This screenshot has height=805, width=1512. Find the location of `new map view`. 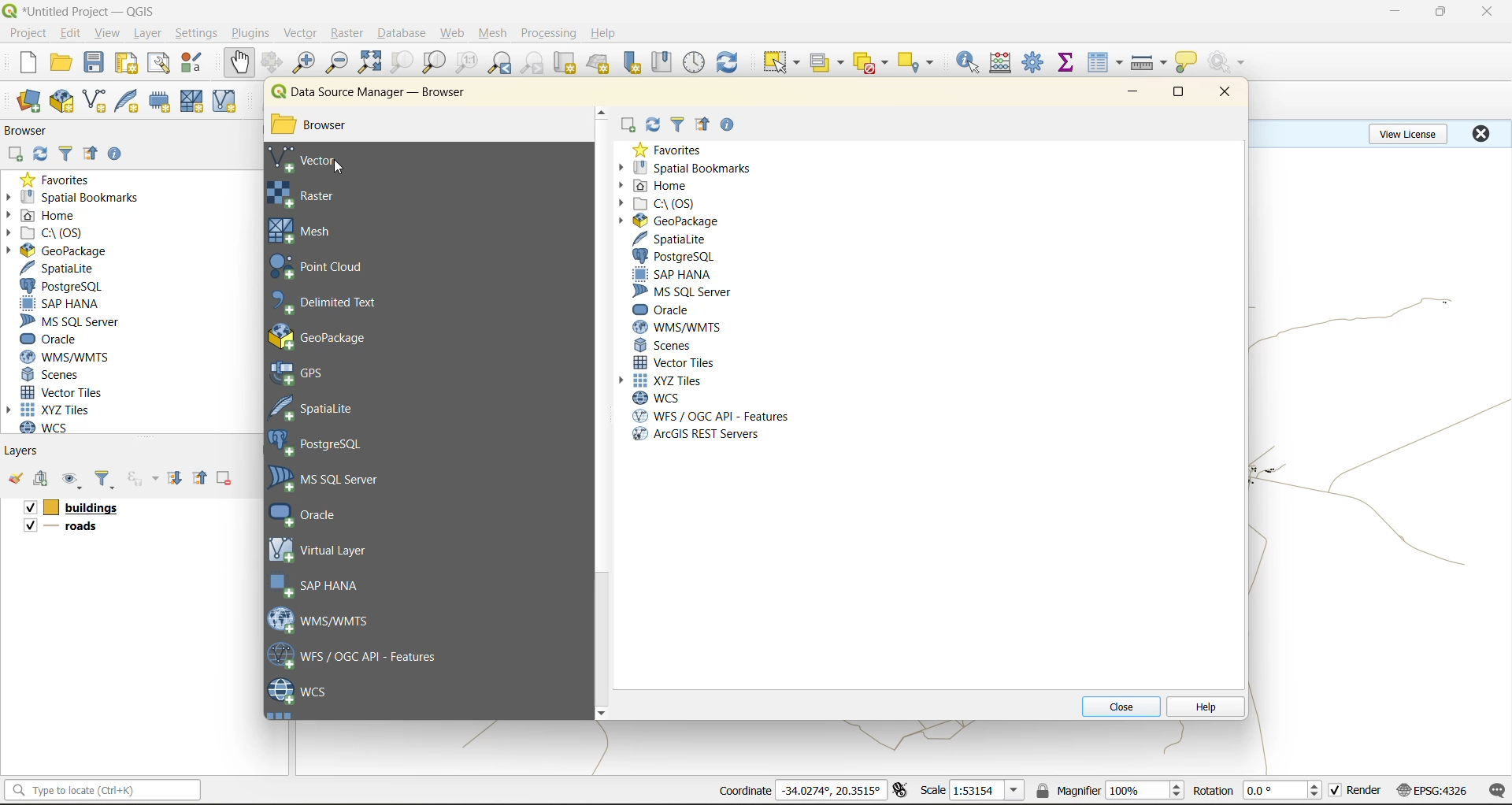

new map view is located at coordinates (567, 65).